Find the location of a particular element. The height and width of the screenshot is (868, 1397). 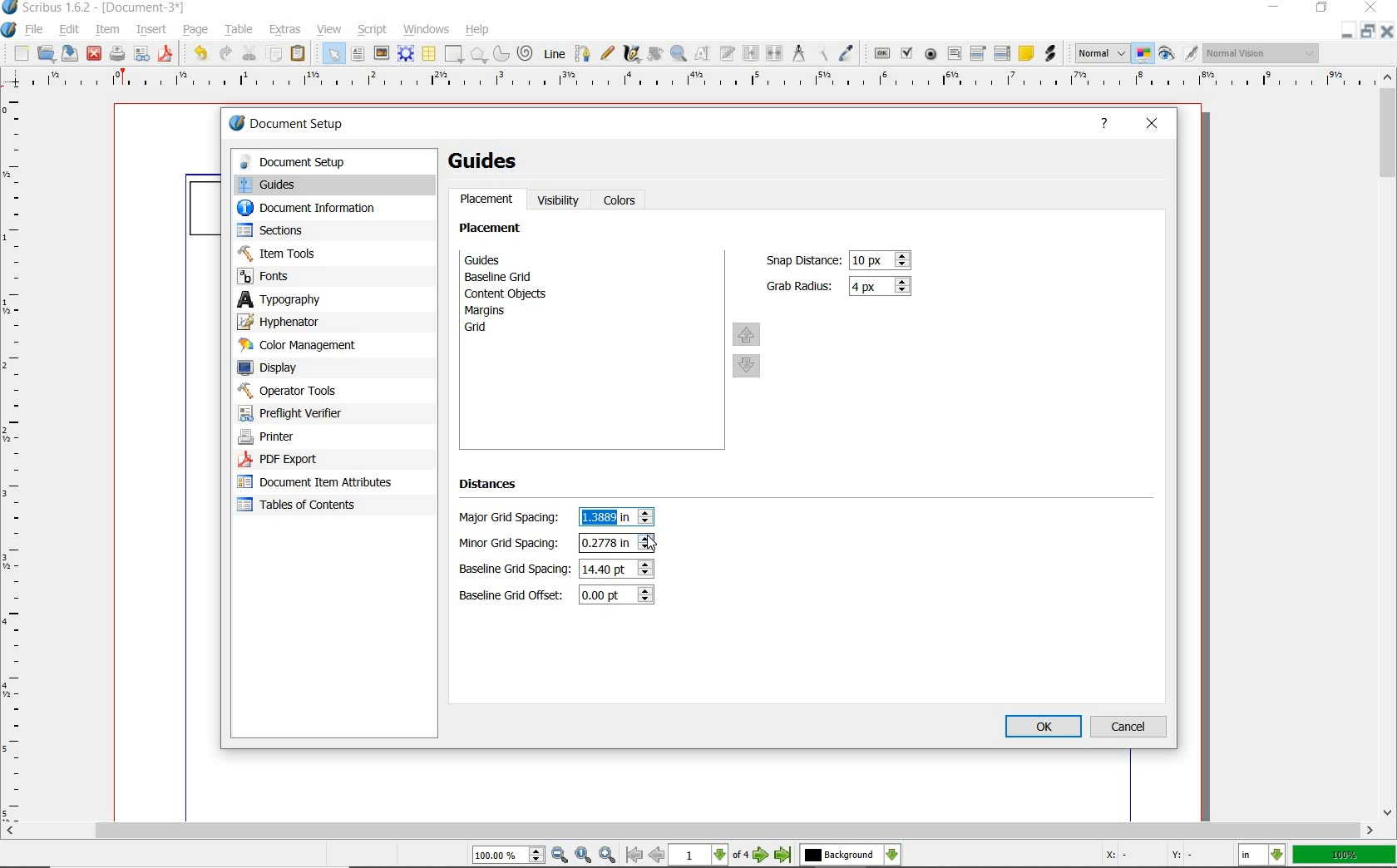

image frame is located at coordinates (382, 54).